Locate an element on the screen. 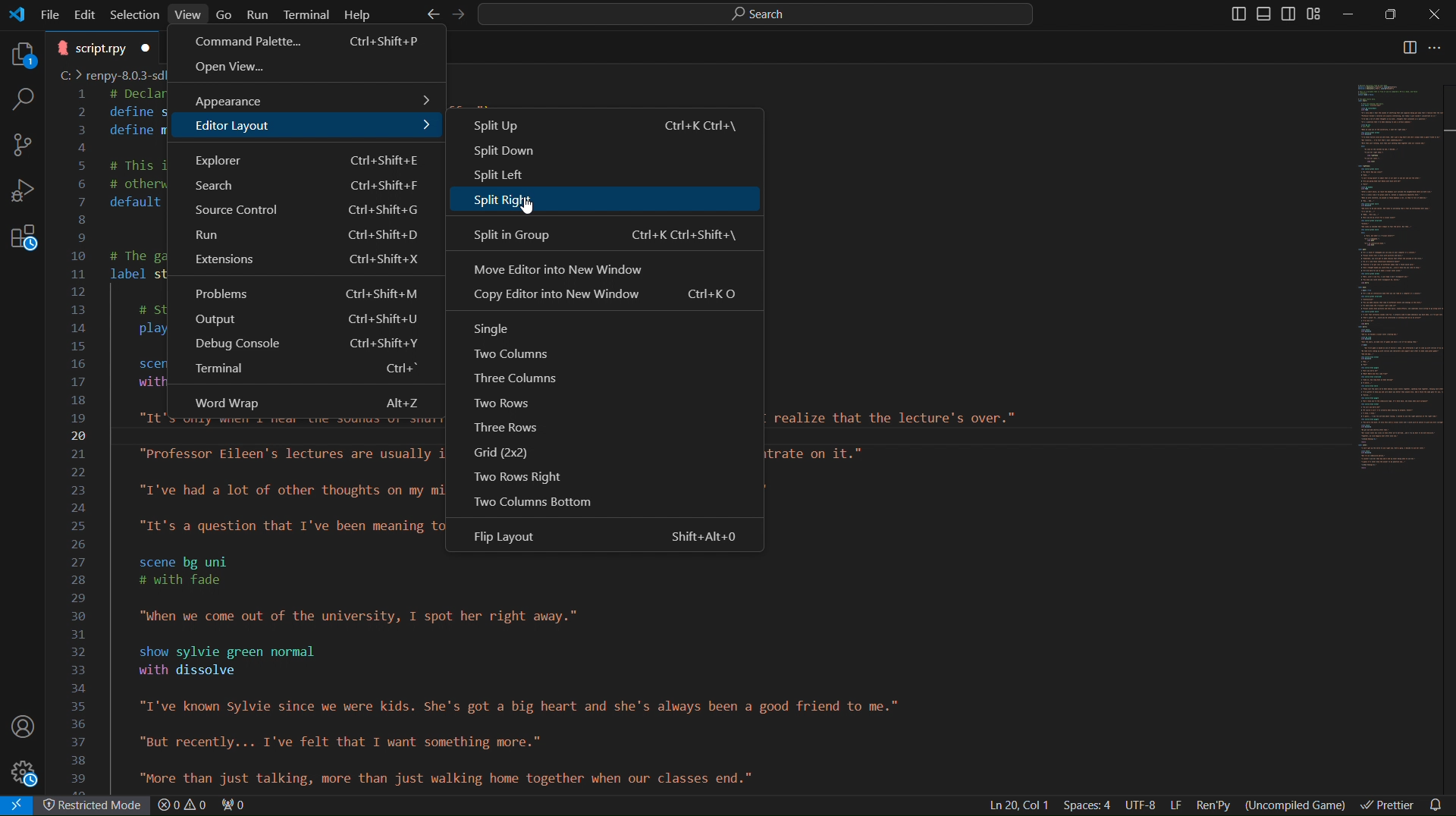 This screenshot has height=816, width=1456. Source Control is located at coordinates (23, 145).